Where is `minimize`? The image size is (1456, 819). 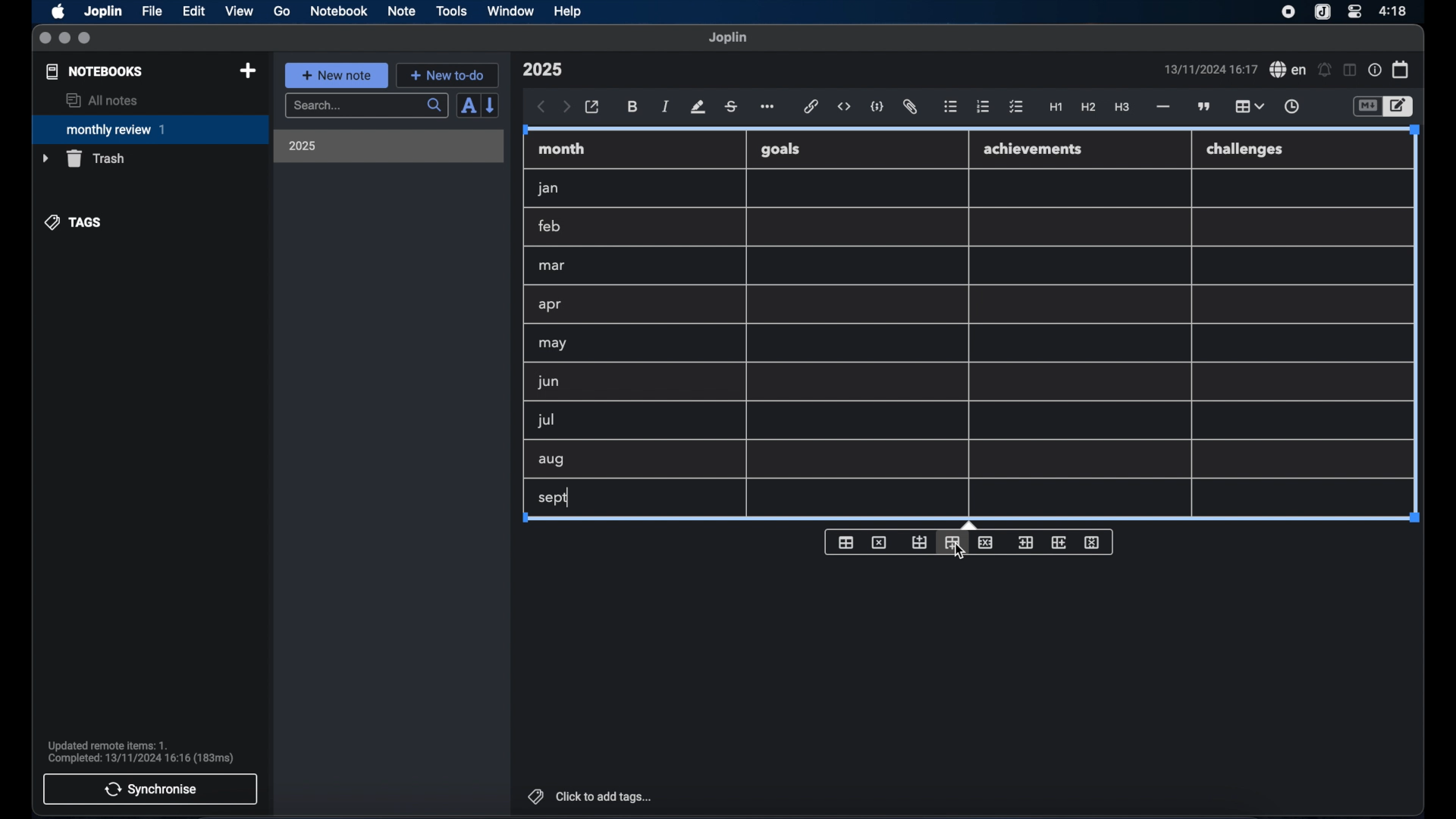
minimize is located at coordinates (64, 39).